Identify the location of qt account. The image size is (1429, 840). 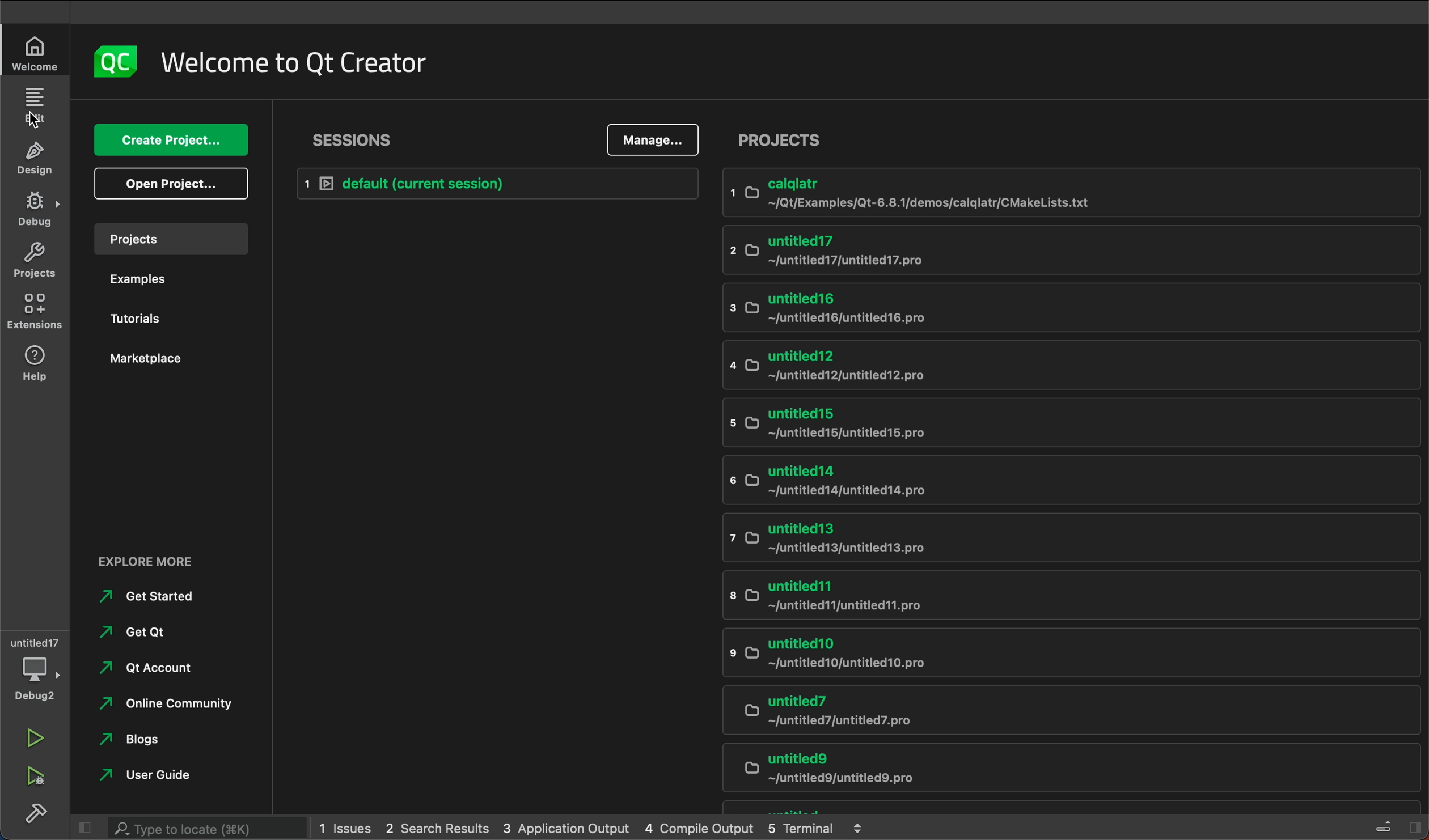
(139, 670).